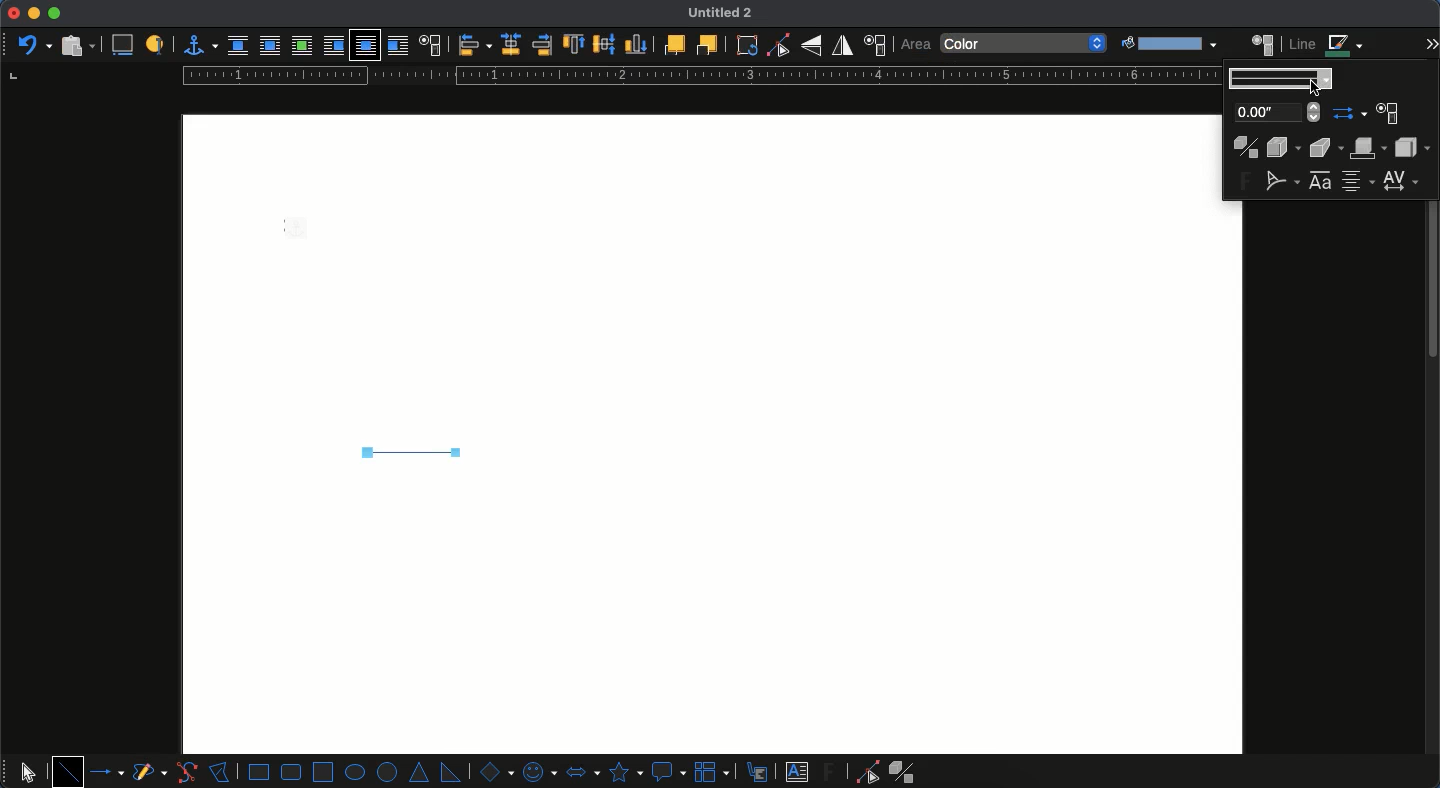  Describe the element at coordinates (542, 45) in the screenshot. I see `right` at that location.